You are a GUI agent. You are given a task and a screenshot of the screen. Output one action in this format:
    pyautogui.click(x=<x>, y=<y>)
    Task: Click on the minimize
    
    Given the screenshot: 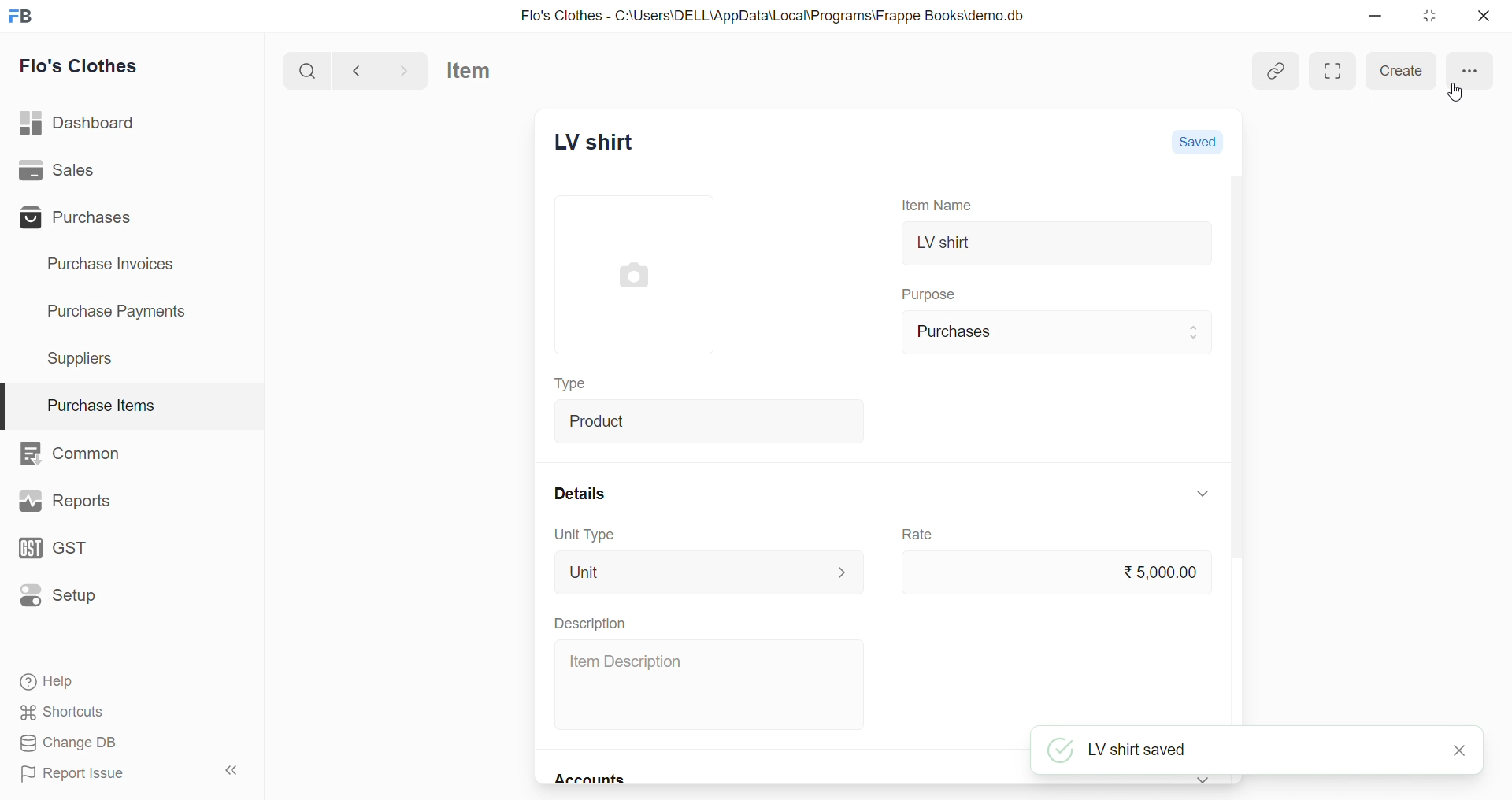 What is the action you would take?
    pyautogui.click(x=1381, y=16)
    